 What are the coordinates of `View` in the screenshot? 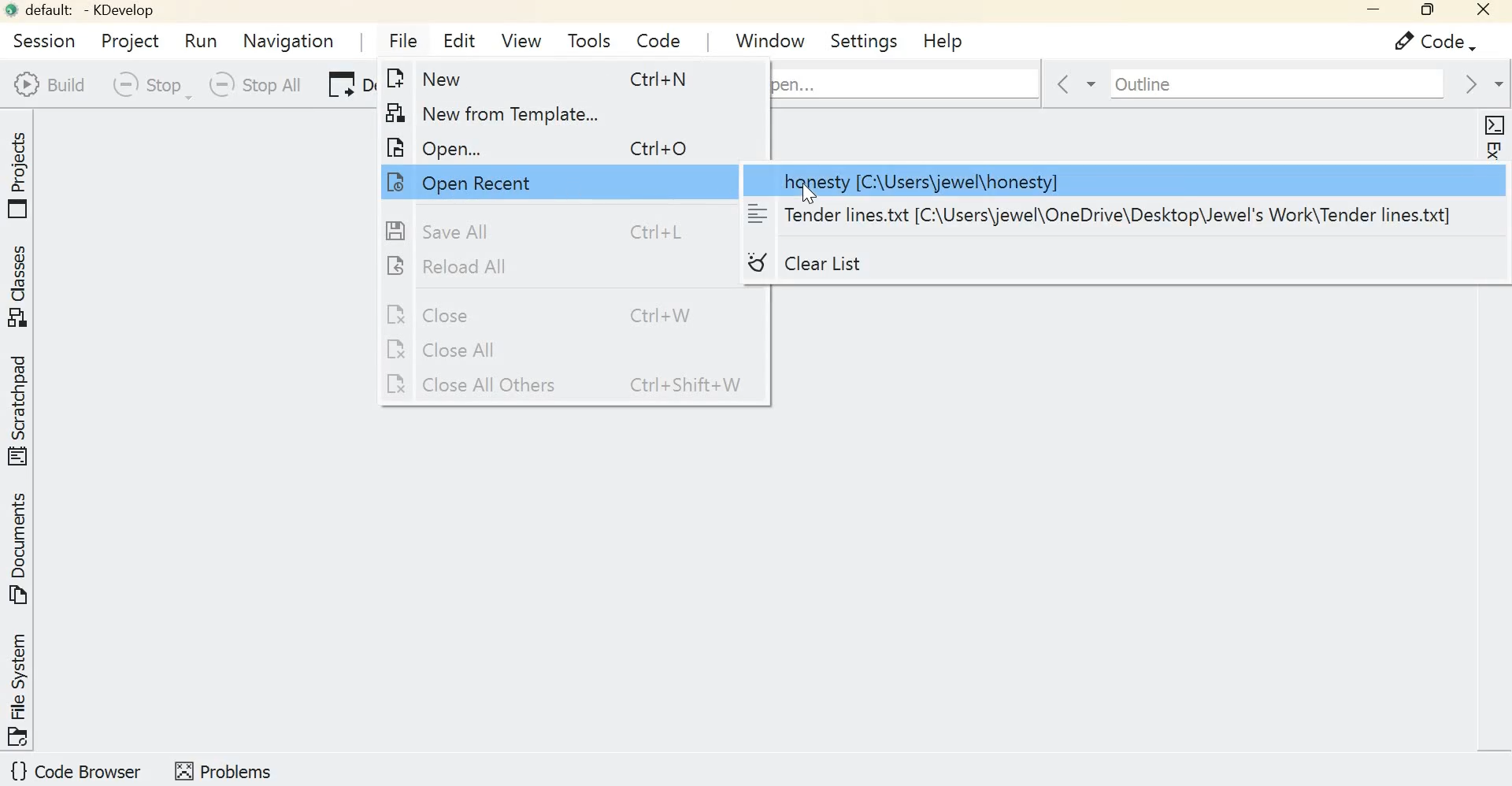 It's located at (521, 39).